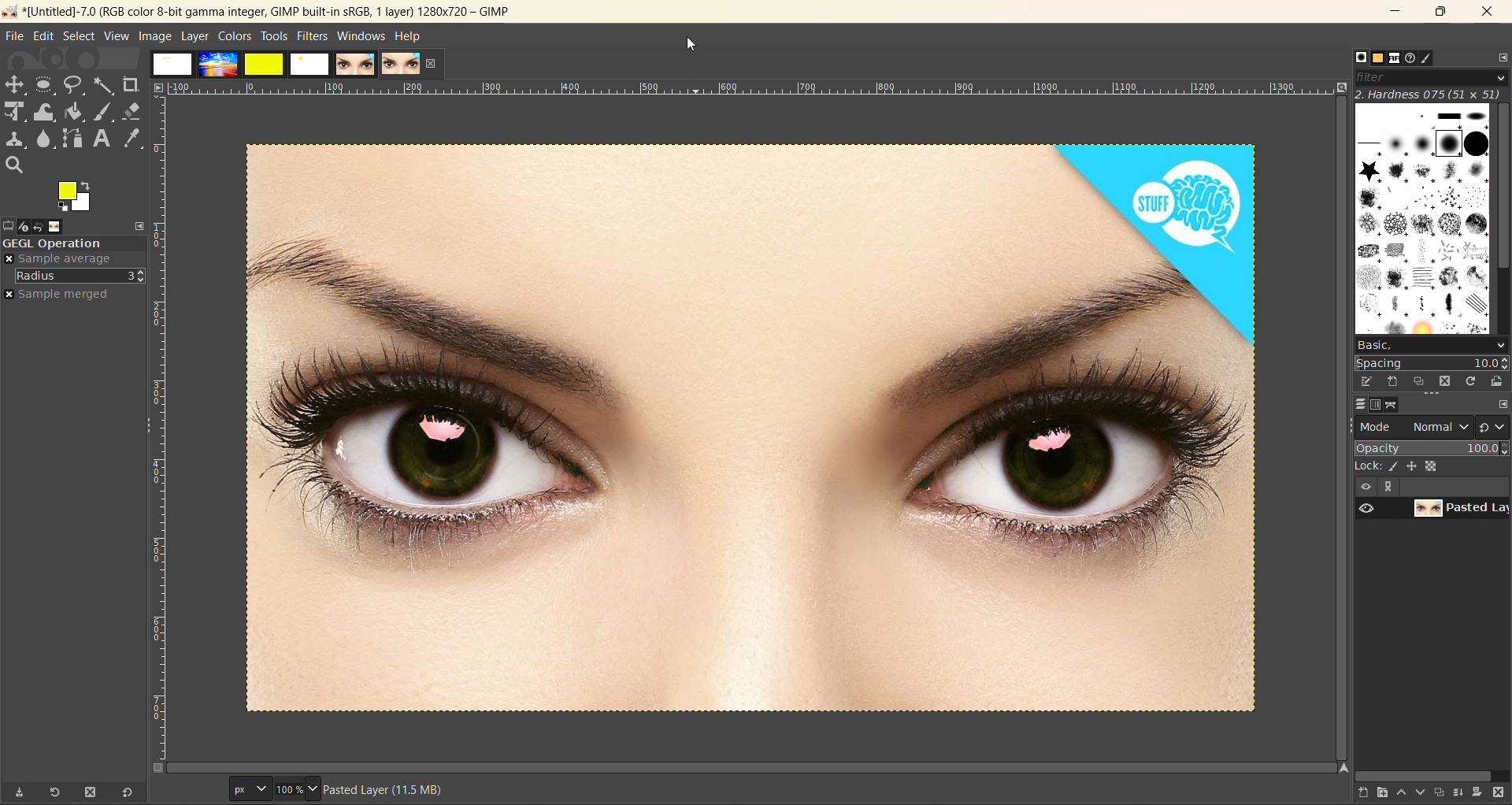 The width and height of the screenshot is (1512, 805). What do you see at coordinates (114, 37) in the screenshot?
I see `view` at bounding box center [114, 37].